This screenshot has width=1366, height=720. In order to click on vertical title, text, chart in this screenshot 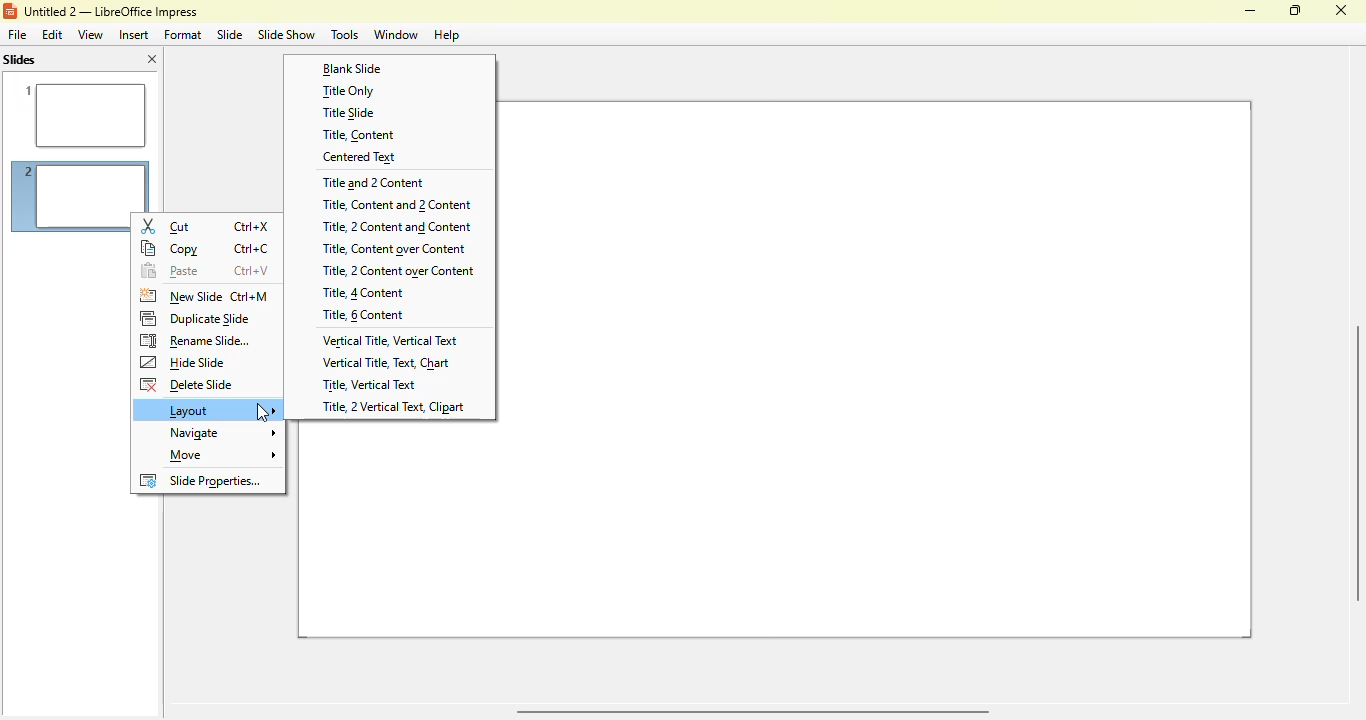, I will do `click(386, 364)`.